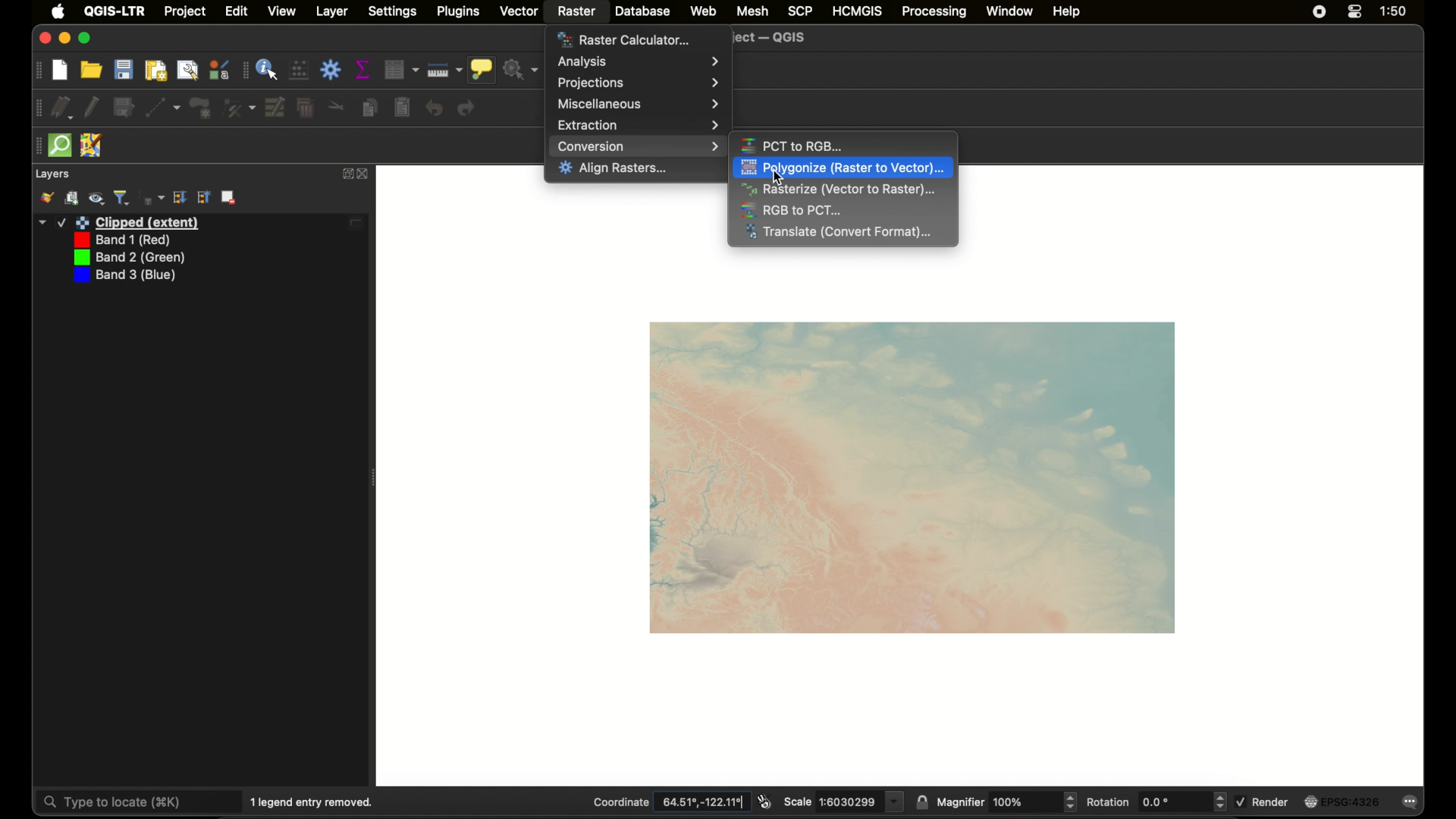 Image resolution: width=1456 pixels, height=819 pixels. What do you see at coordinates (773, 38) in the screenshot?
I see `untitled project  - QGIS` at bounding box center [773, 38].